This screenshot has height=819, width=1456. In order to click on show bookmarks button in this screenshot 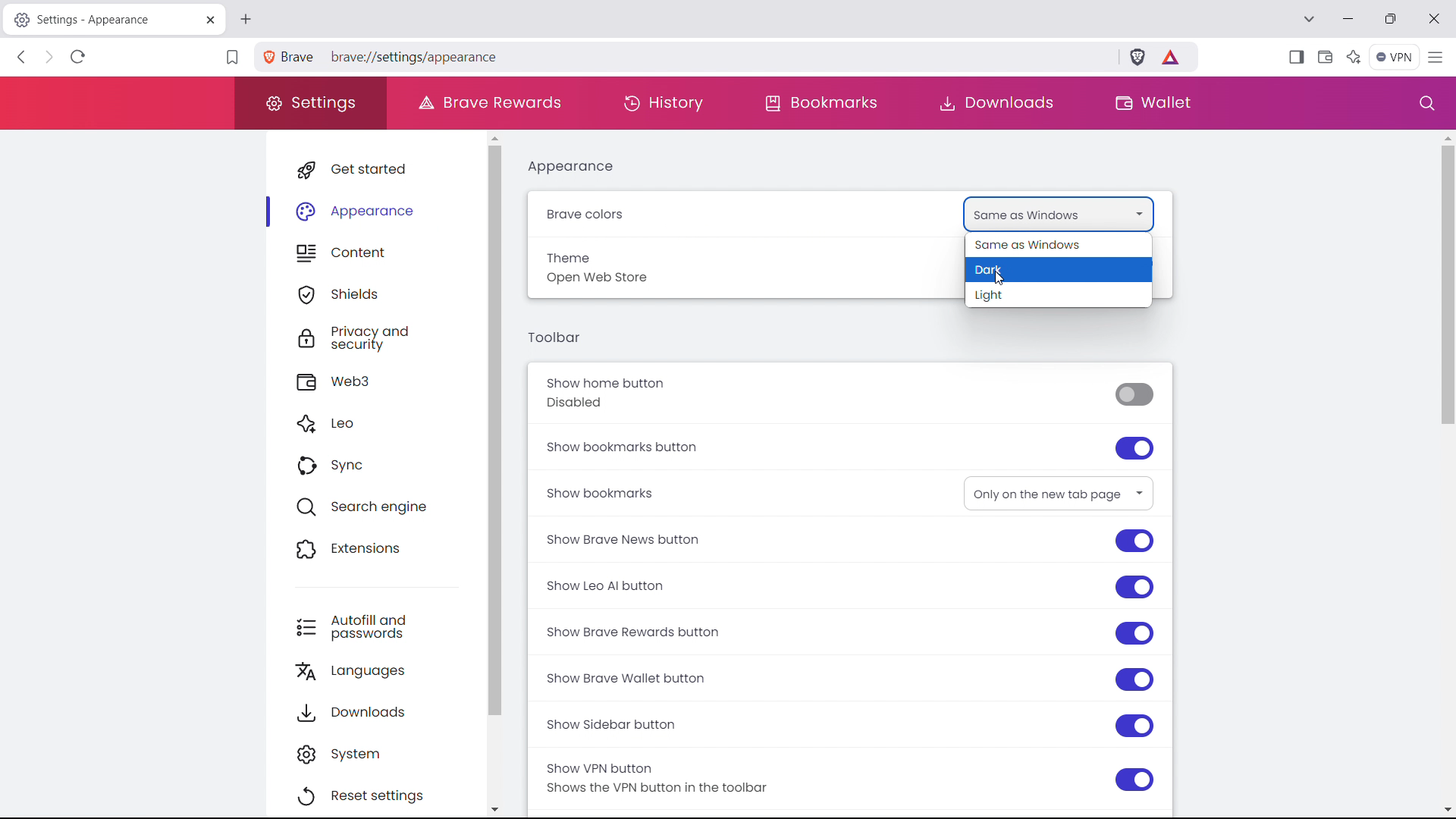, I will do `click(852, 444)`.